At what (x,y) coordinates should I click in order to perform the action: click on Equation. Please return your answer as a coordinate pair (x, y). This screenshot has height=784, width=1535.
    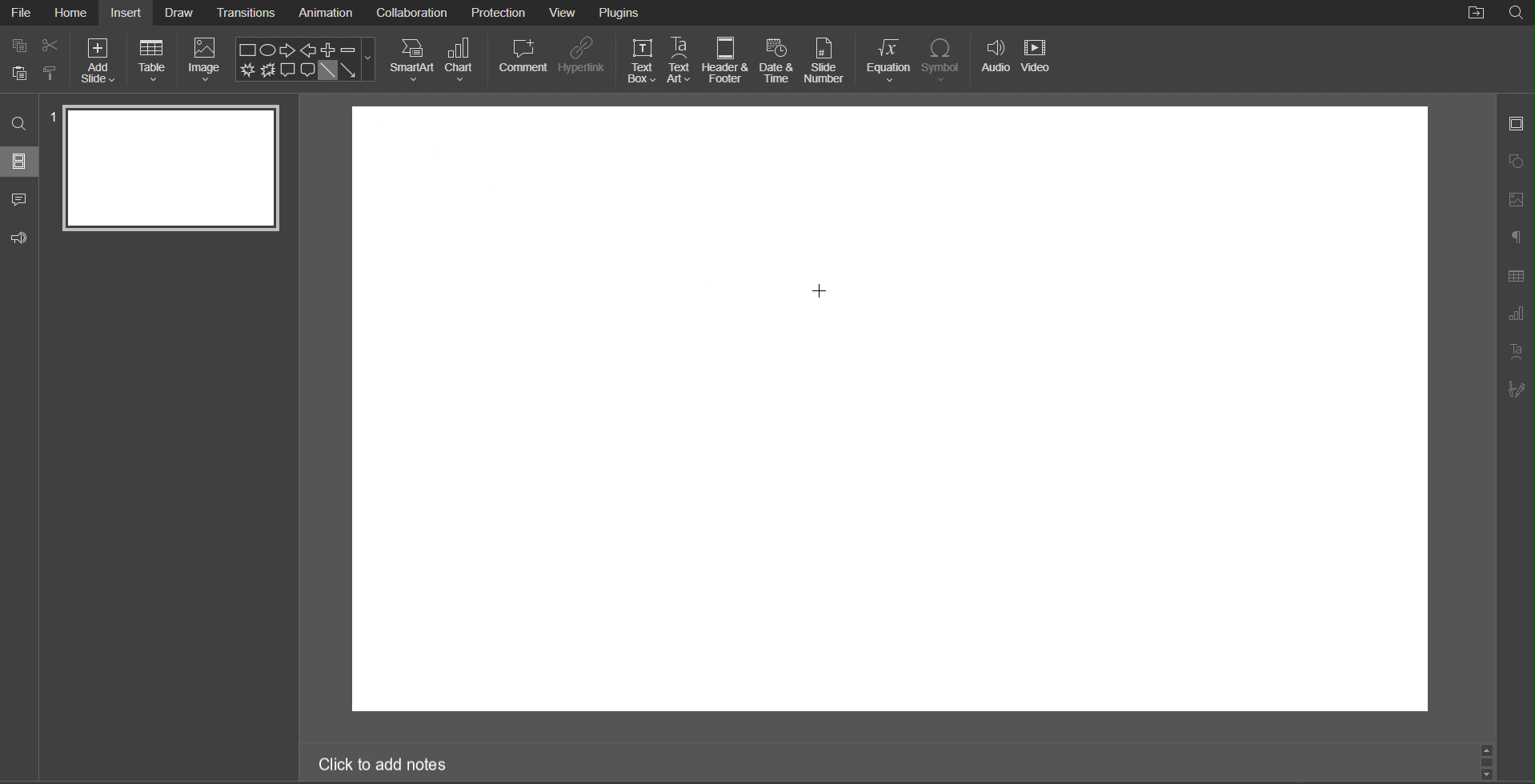
    Looking at the image, I should click on (889, 59).